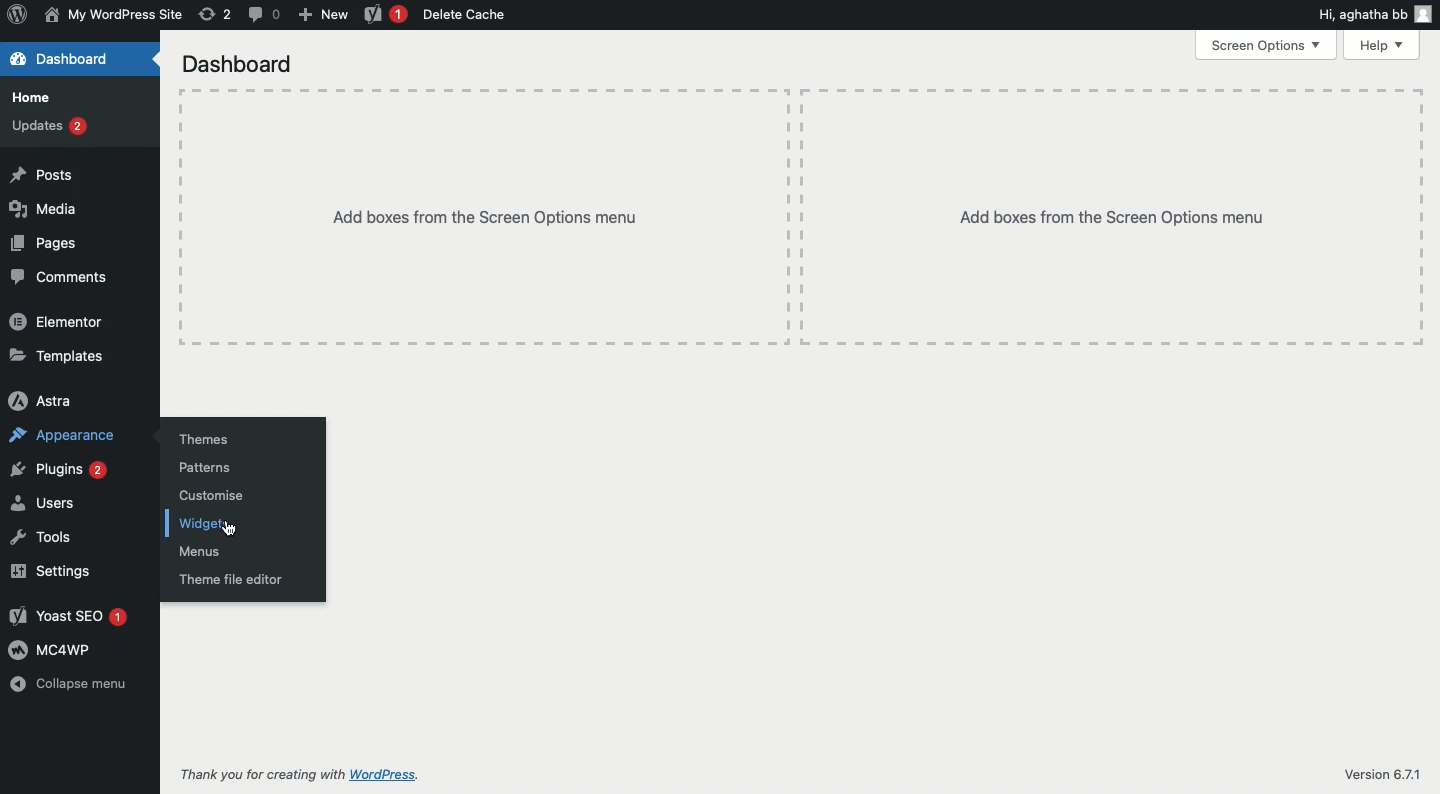  Describe the element at coordinates (1264, 44) in the screenshot. I see `Screen options` at that location.